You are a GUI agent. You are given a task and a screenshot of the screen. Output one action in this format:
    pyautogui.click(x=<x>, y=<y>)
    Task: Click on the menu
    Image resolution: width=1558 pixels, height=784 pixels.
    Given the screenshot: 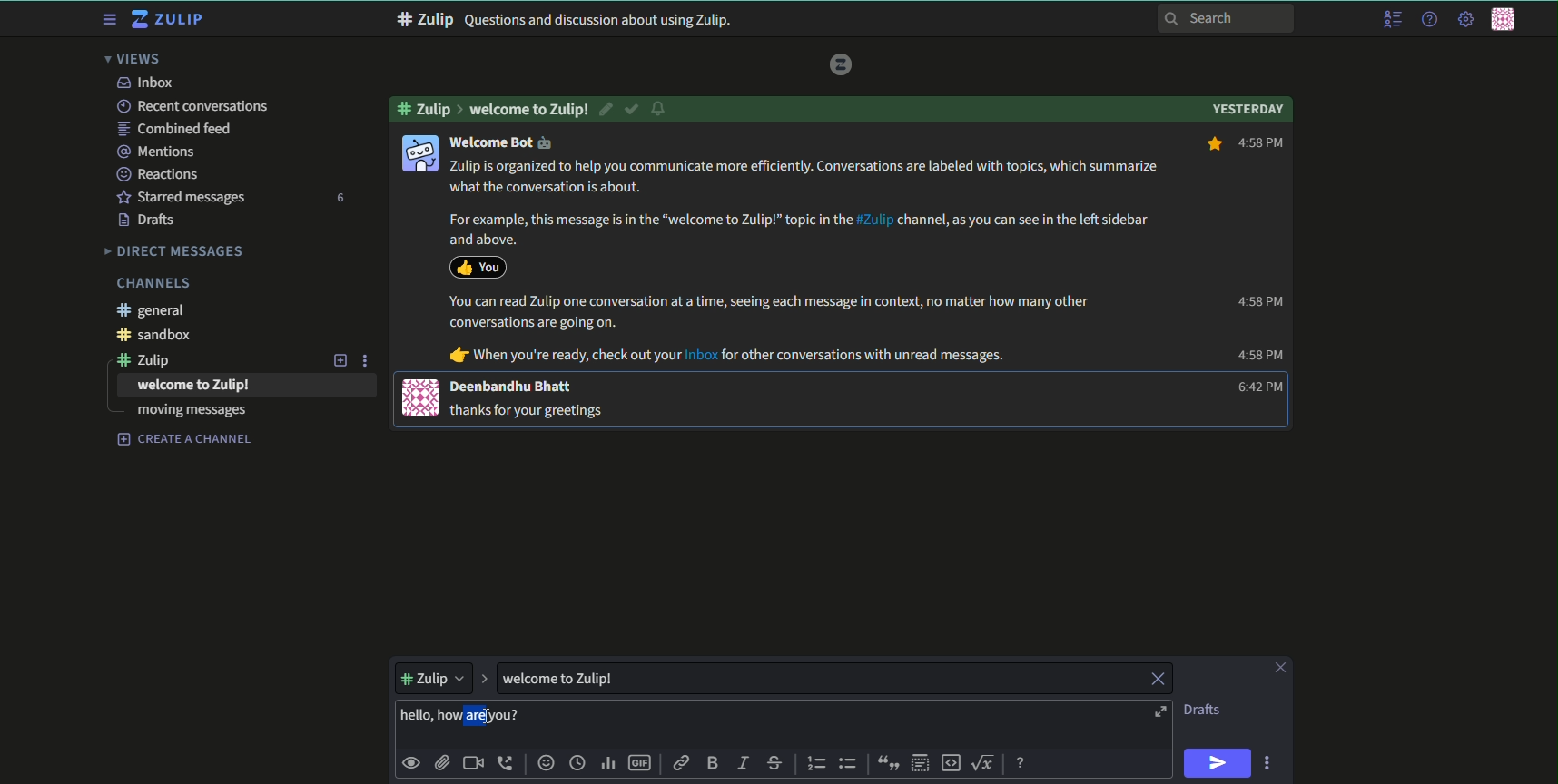 What is the action you would take?
    pyautogui.click(x=107, y=20)
    